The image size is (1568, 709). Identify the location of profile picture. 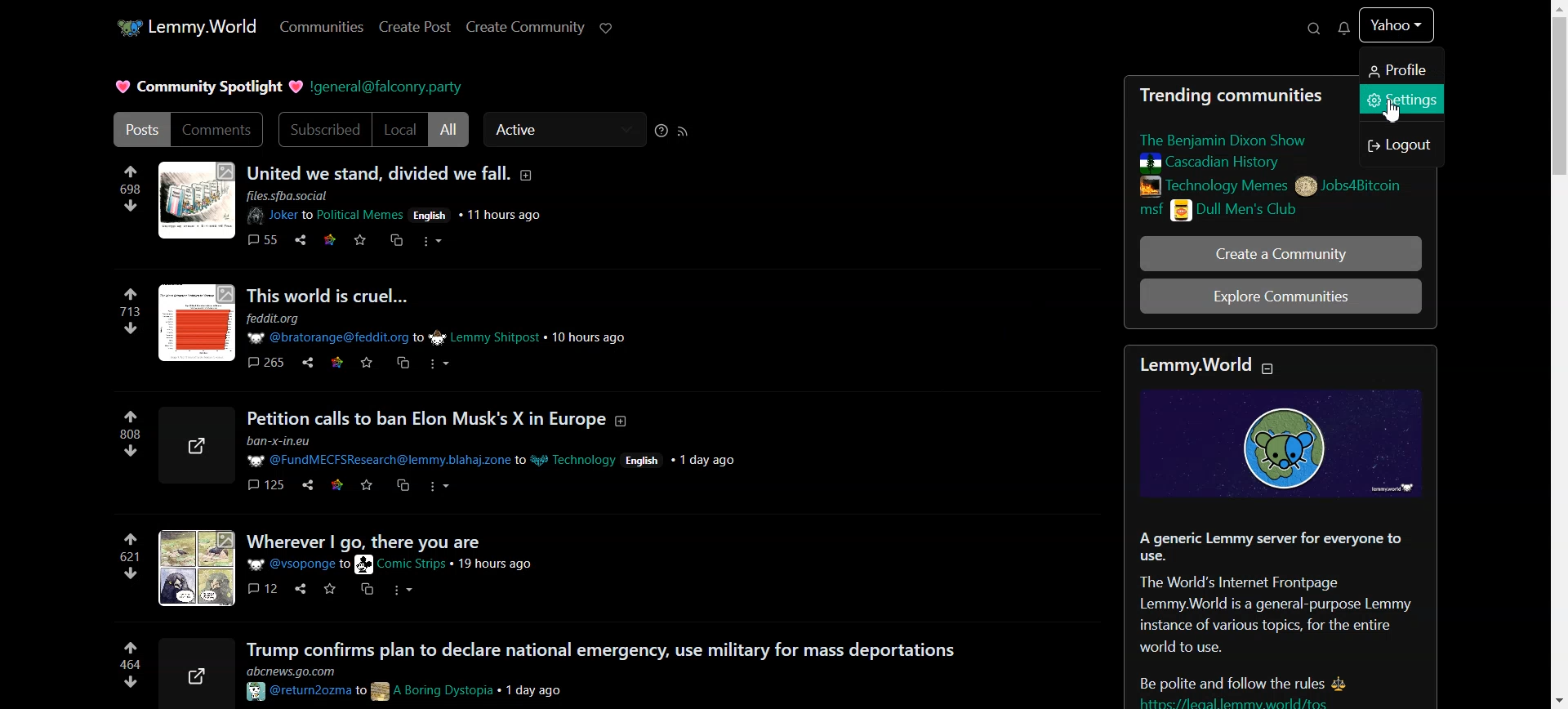
(193, 569).